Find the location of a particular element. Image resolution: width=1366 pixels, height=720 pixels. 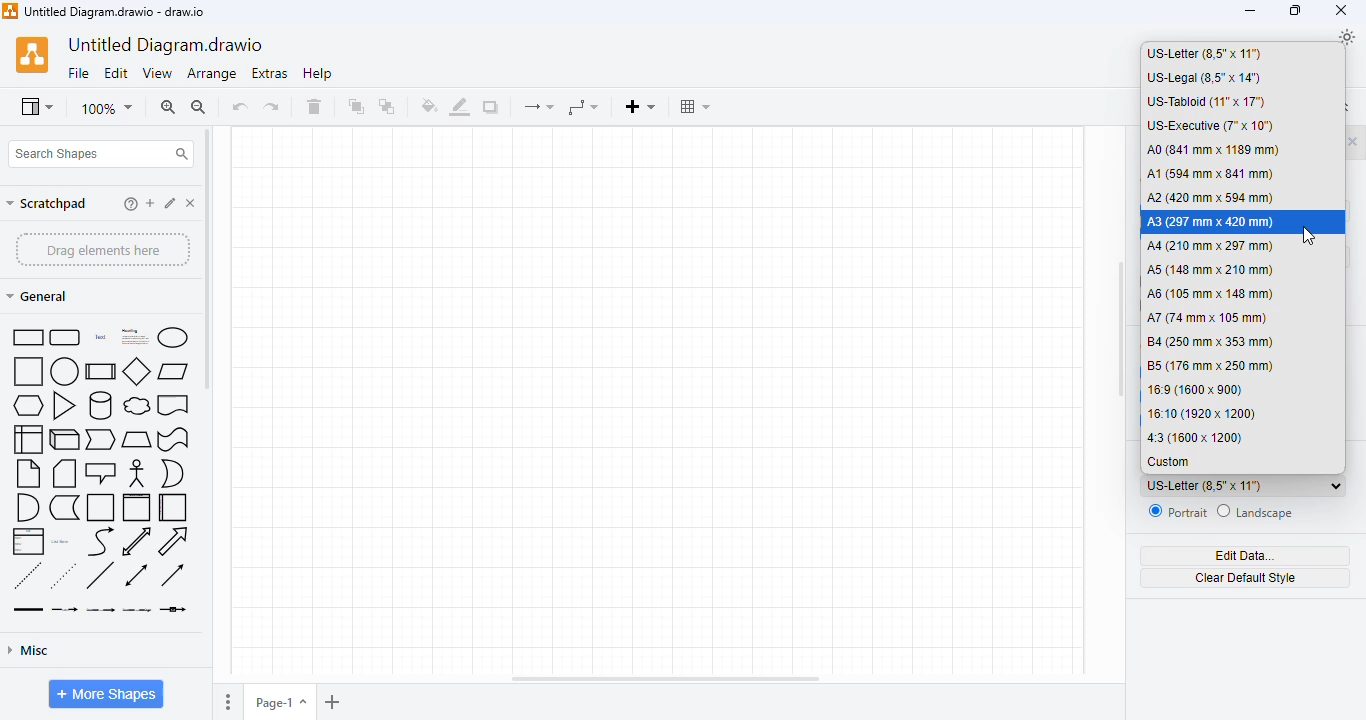

rectangle is located at coordinates (26, 337).